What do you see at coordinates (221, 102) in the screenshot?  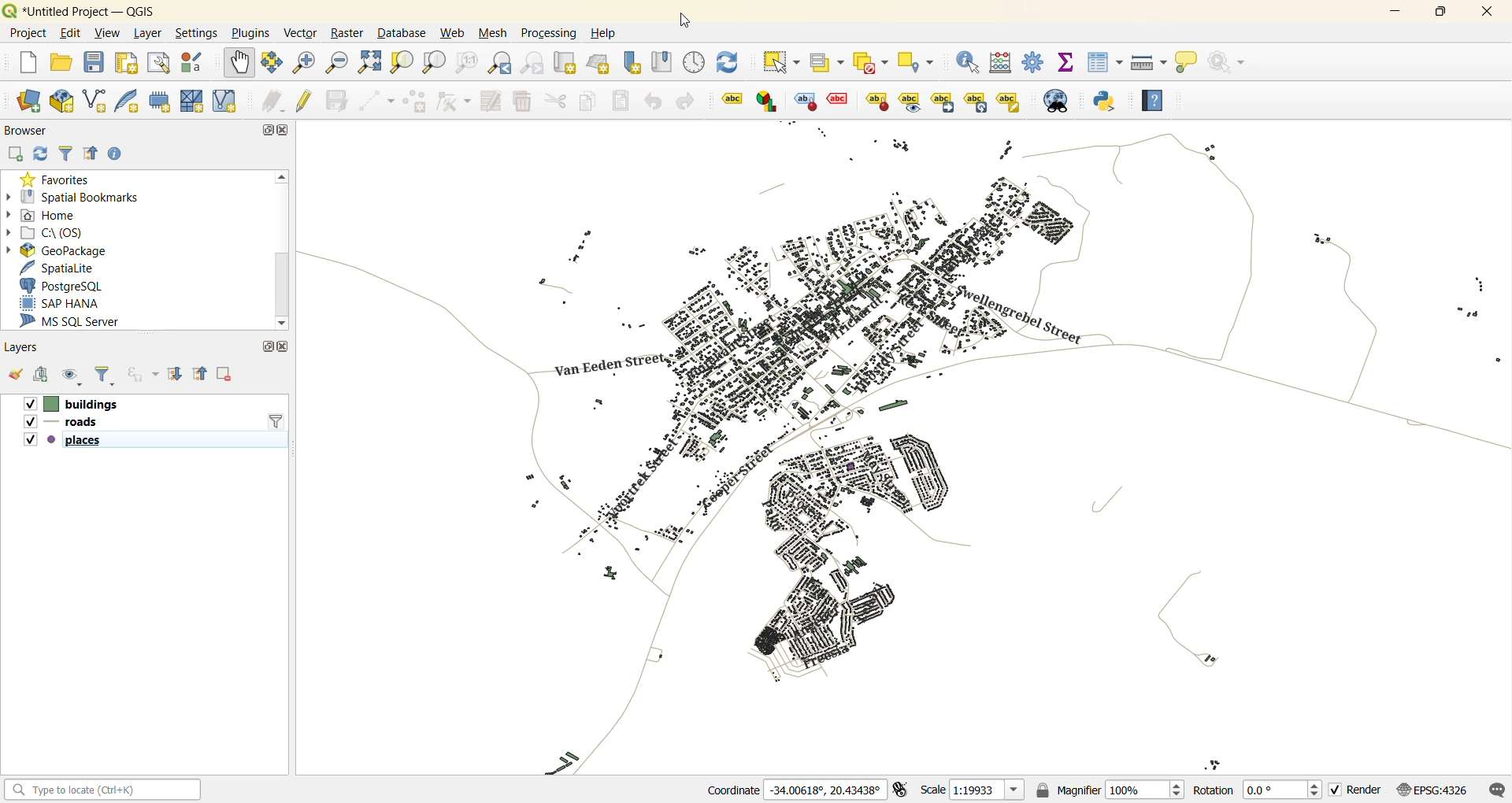 I see `new virtual layer` at bounding box center [221, 102].